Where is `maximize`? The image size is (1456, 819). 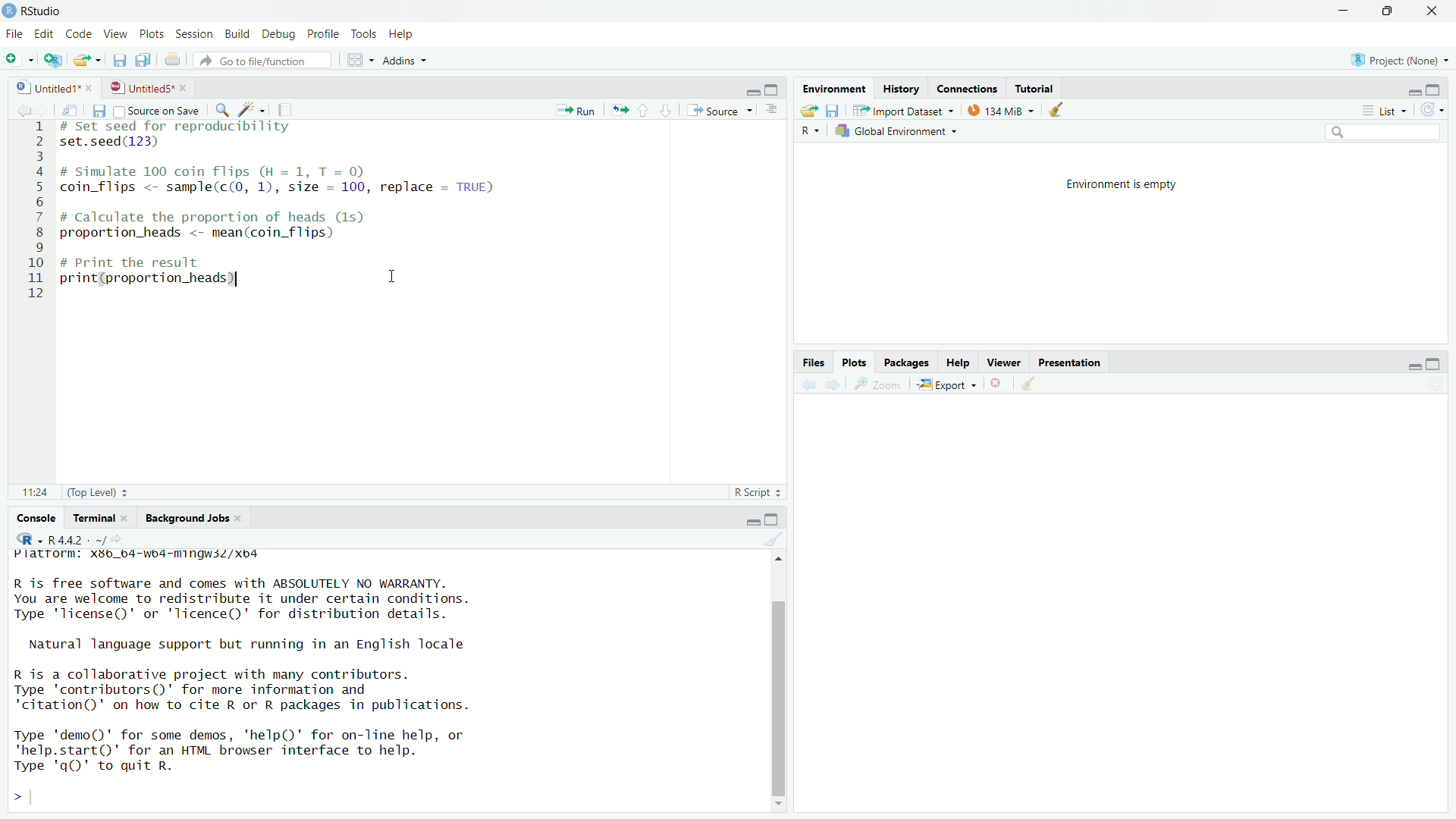 maximize is located at coordinates (775, 89).